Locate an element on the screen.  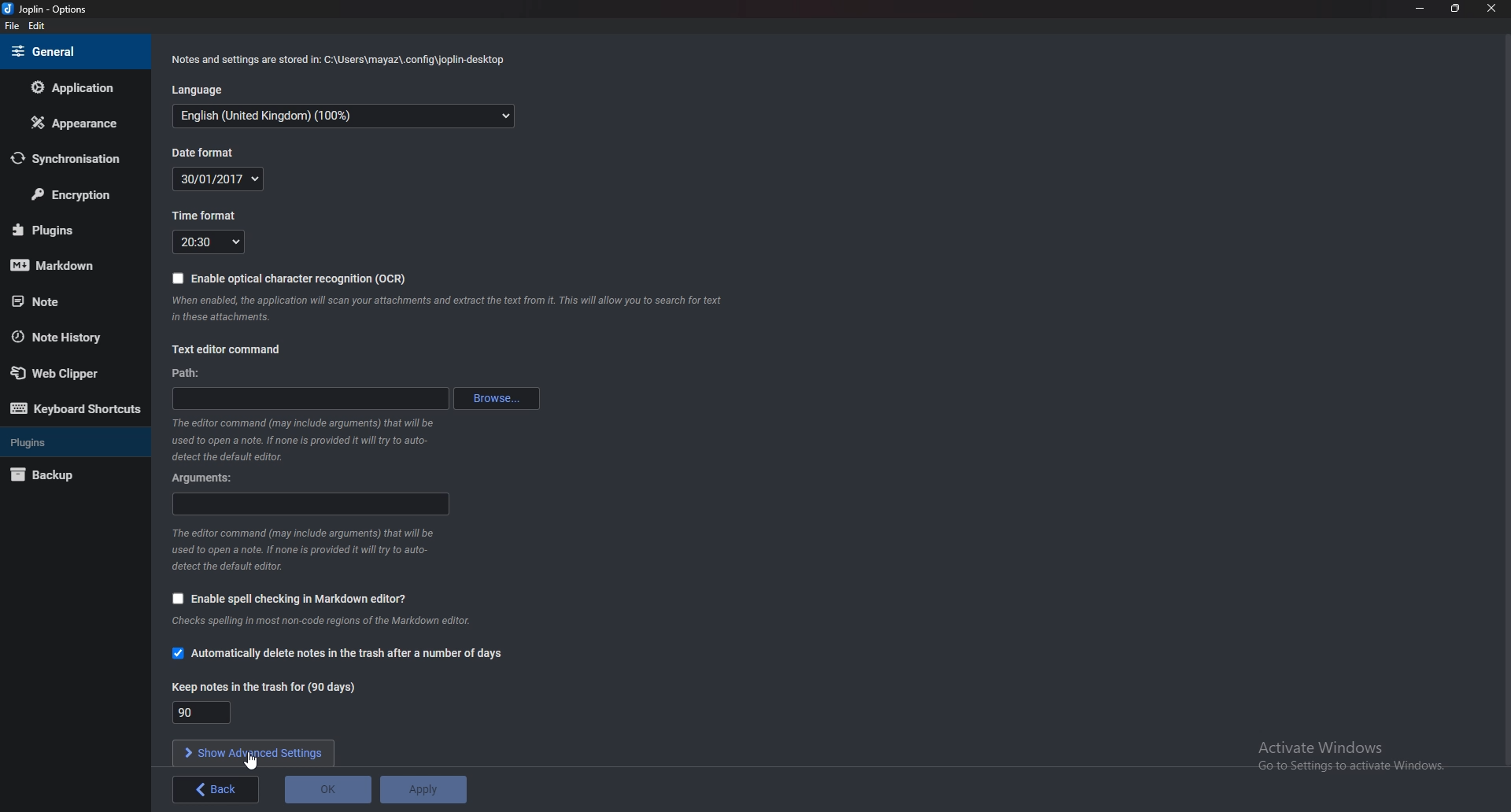
plugins is located at coordinates (68, 230).